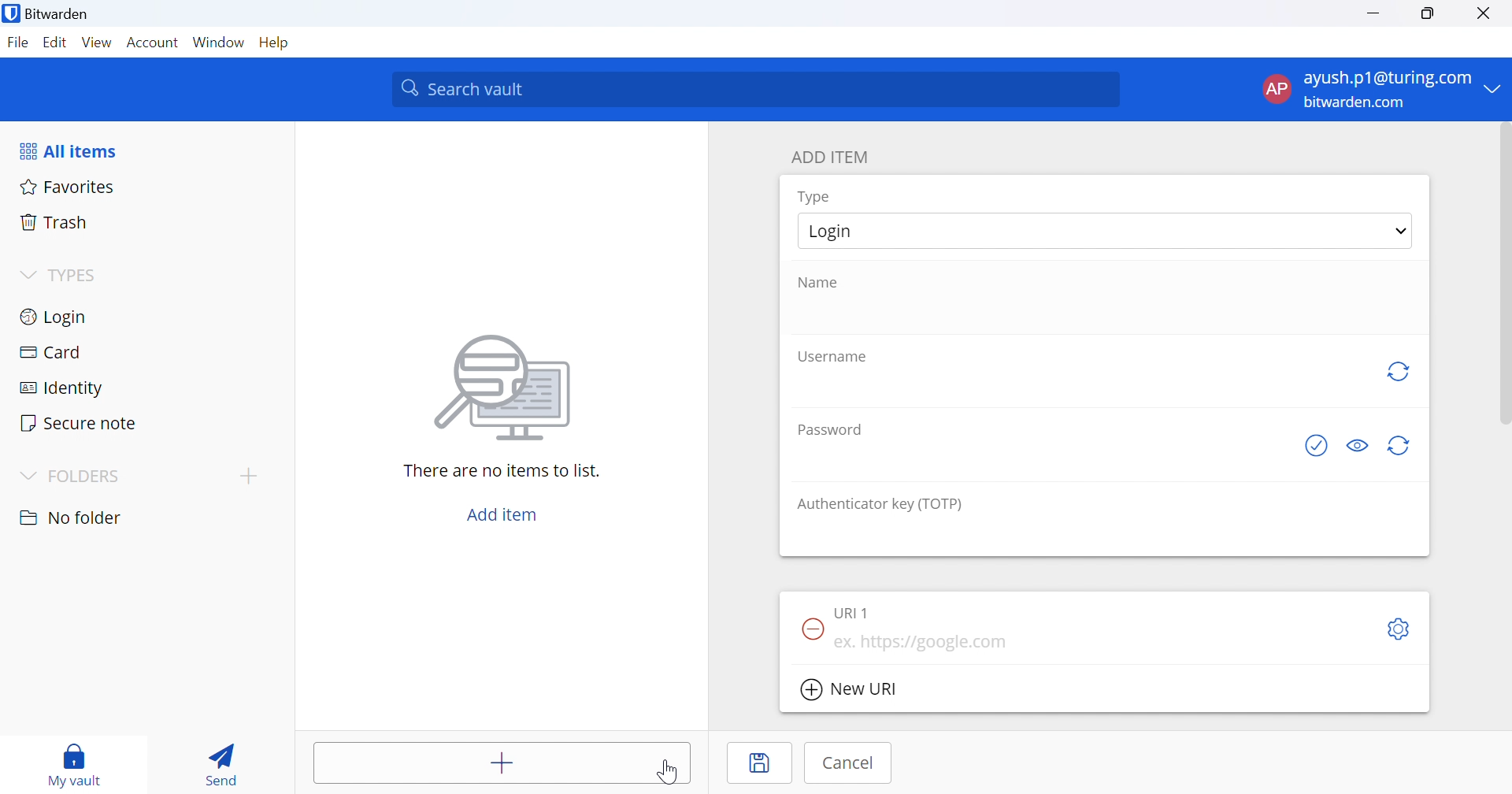 The image size is (1512, 794). I want to click on Search vault, so click(758, 89).